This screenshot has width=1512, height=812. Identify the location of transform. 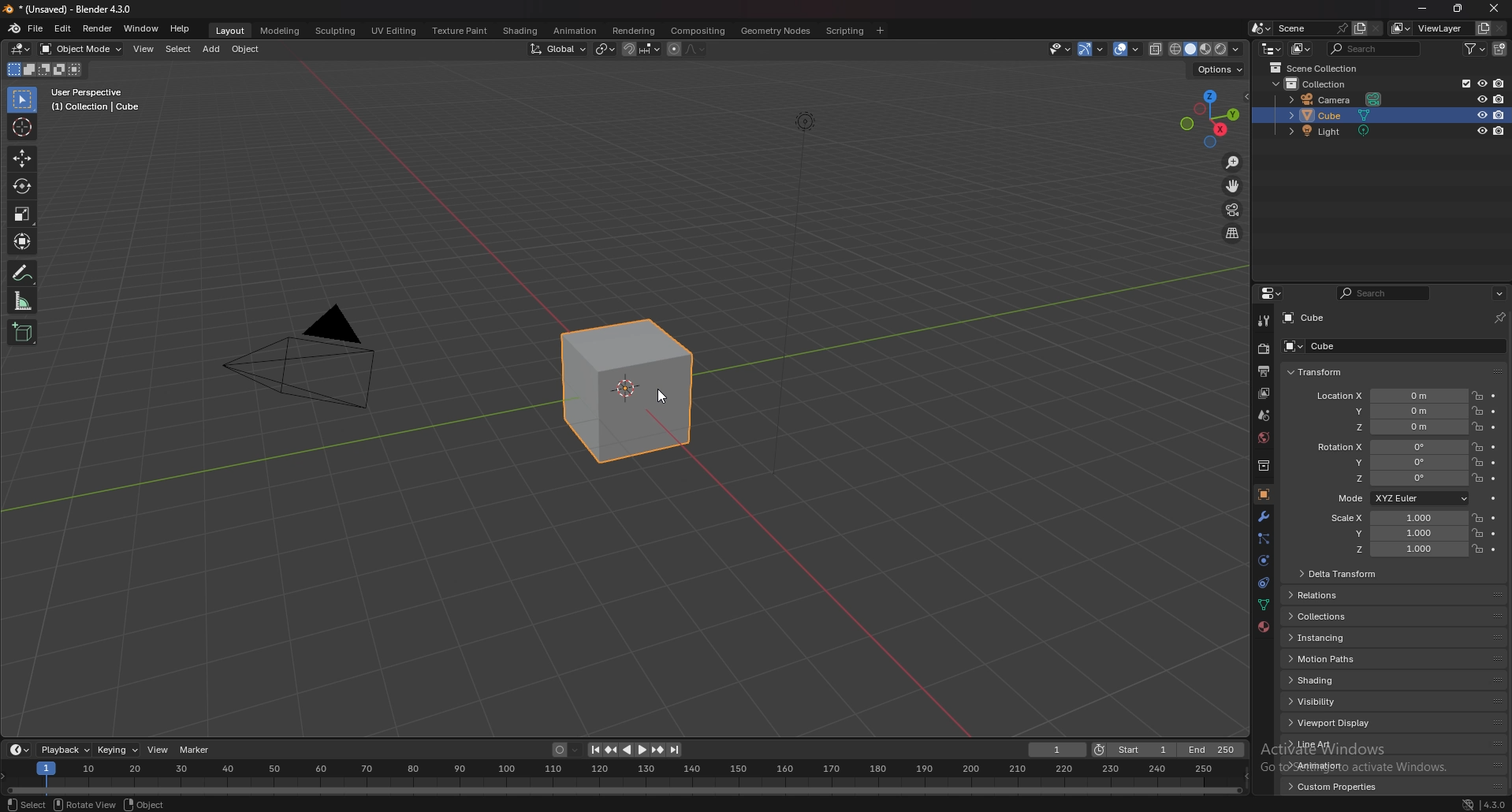
(23, 242).